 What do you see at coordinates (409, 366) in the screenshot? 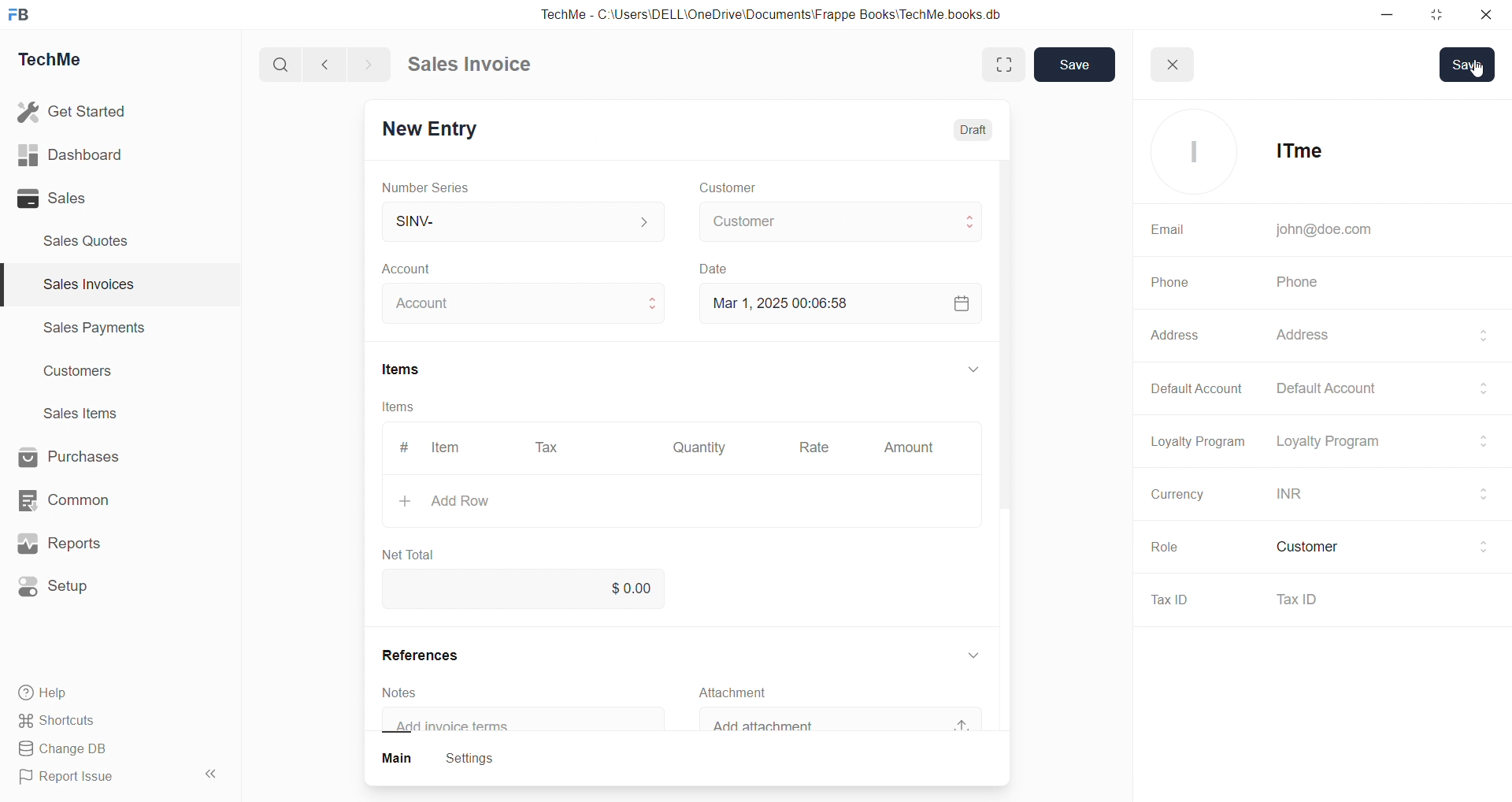
I see `Items` at bounding box center [409, 366].